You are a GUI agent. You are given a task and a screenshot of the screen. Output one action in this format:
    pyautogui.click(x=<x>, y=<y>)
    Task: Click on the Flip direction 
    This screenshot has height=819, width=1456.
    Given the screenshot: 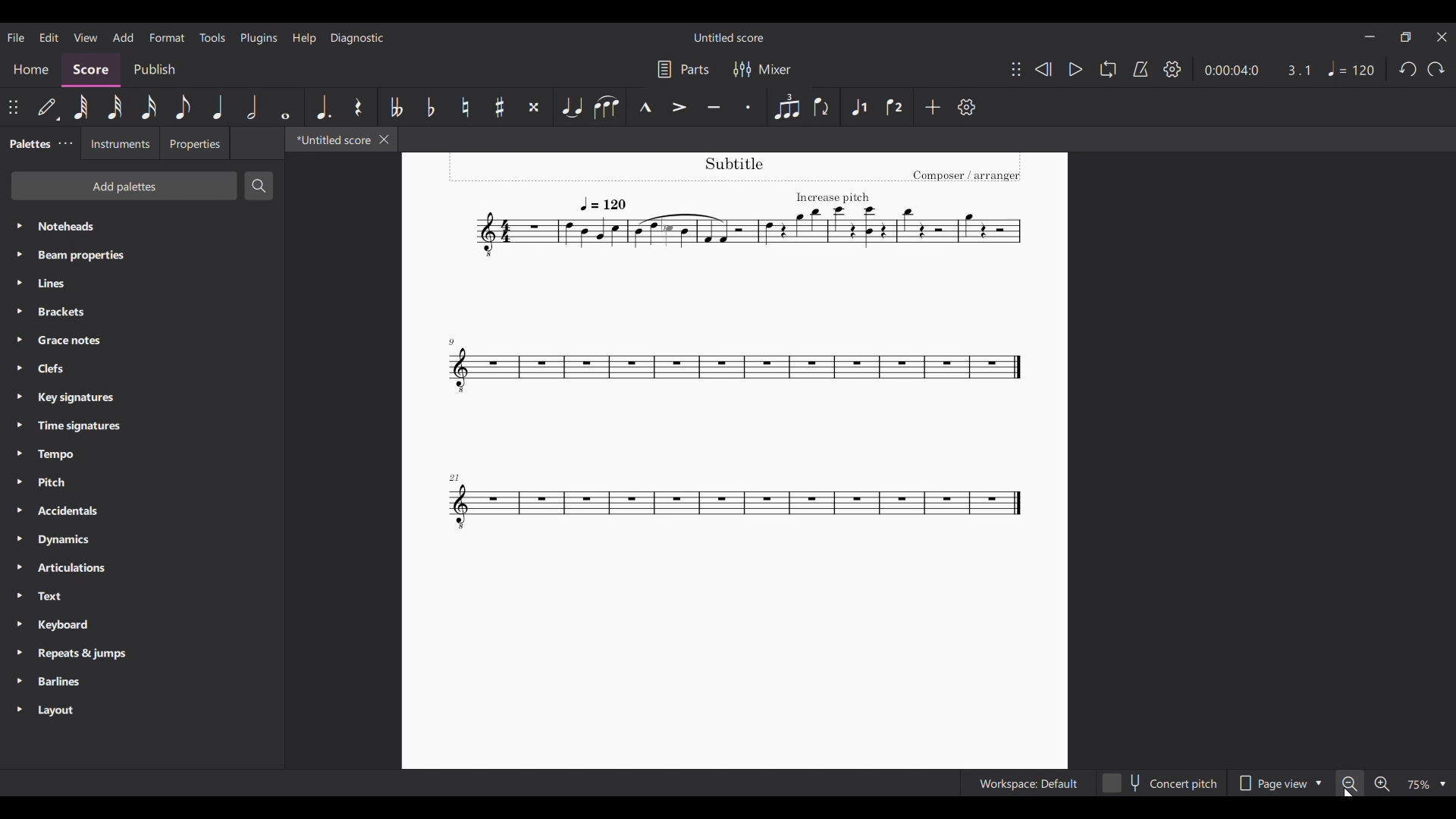 What is the action you would take?
    pyautogui.click(x=822, y=107)
    